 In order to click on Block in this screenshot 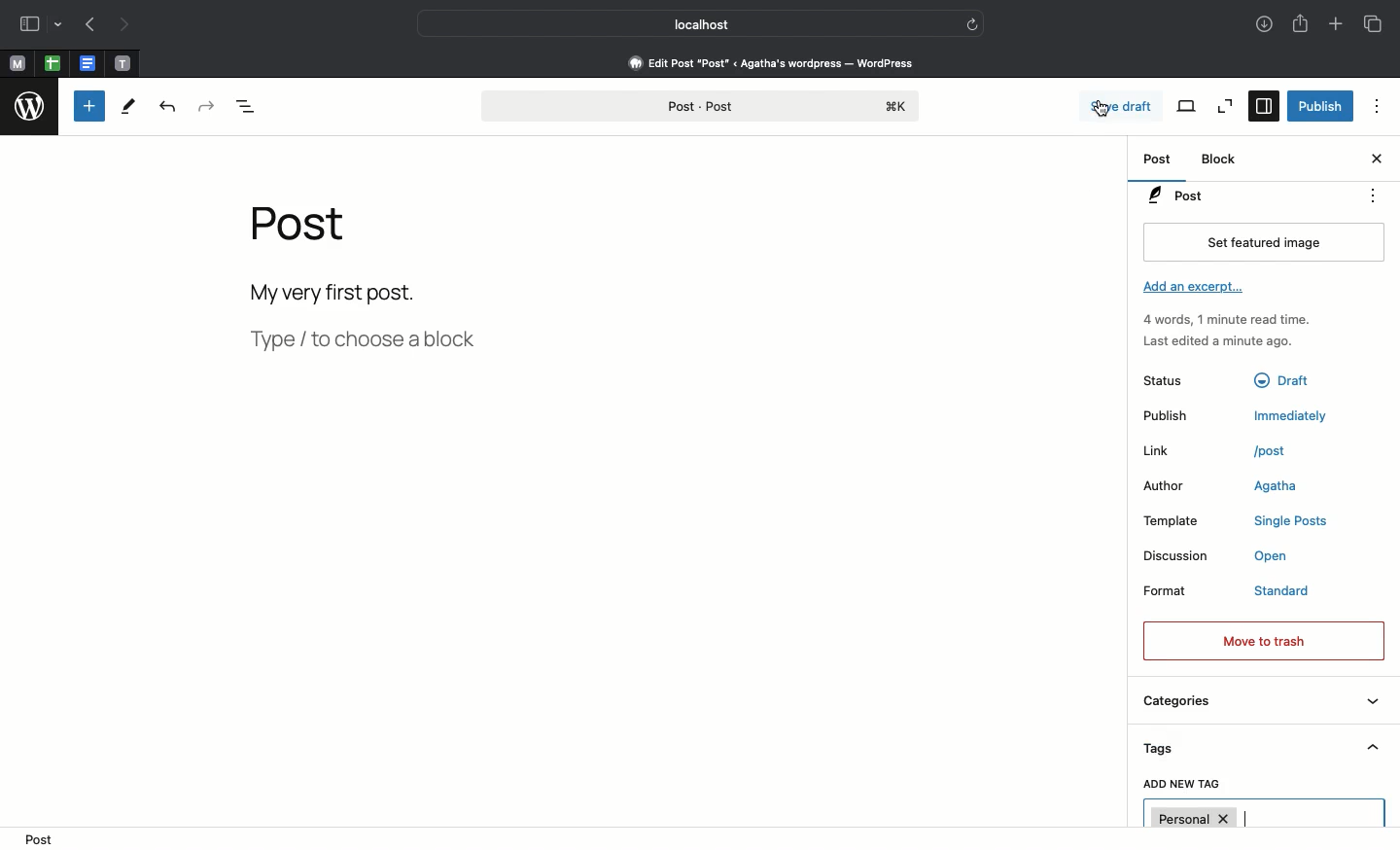, I will do `click(563, 340)`.